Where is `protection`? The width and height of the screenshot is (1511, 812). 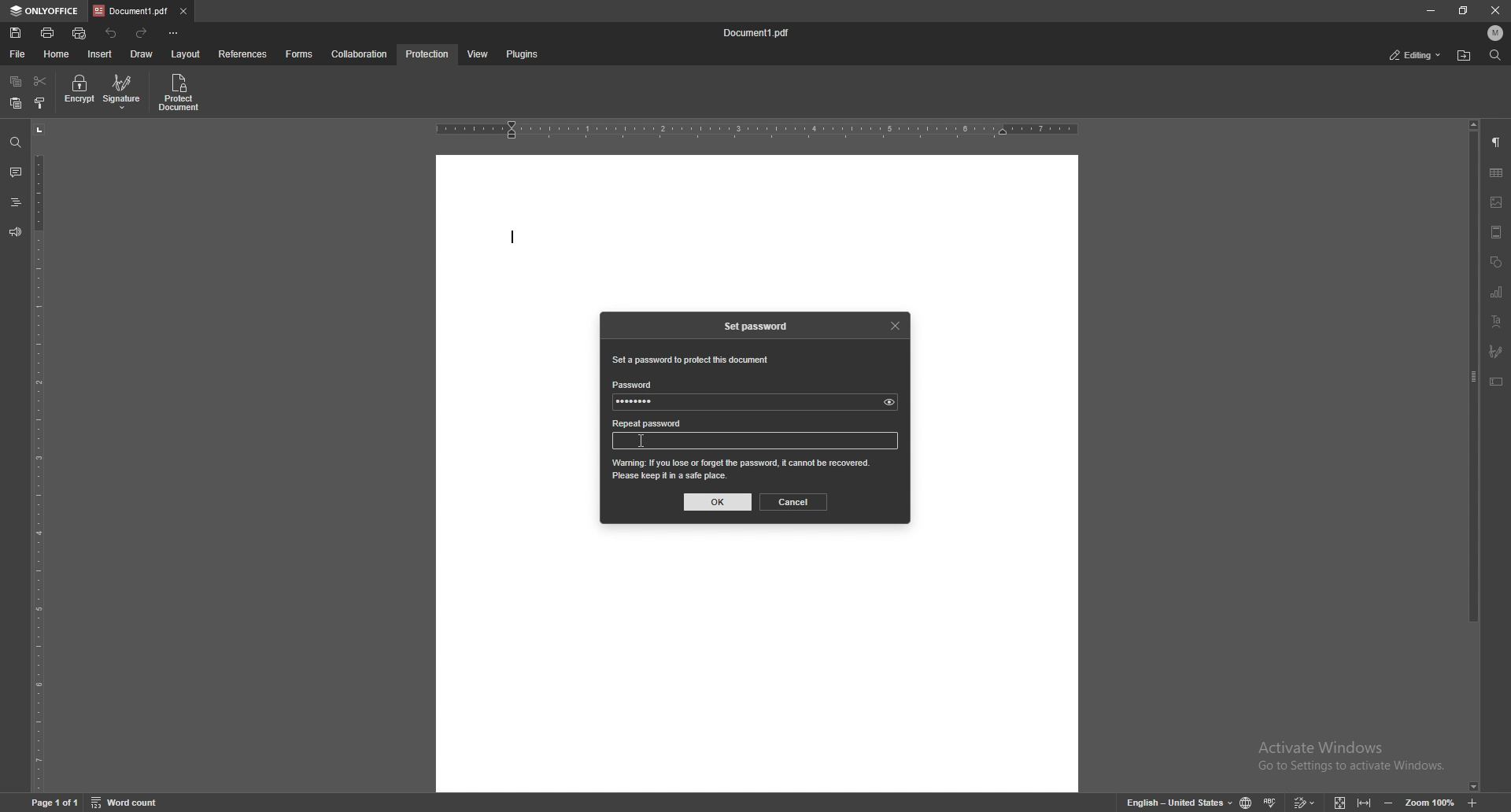 protection is located at coordinates (428, 54).